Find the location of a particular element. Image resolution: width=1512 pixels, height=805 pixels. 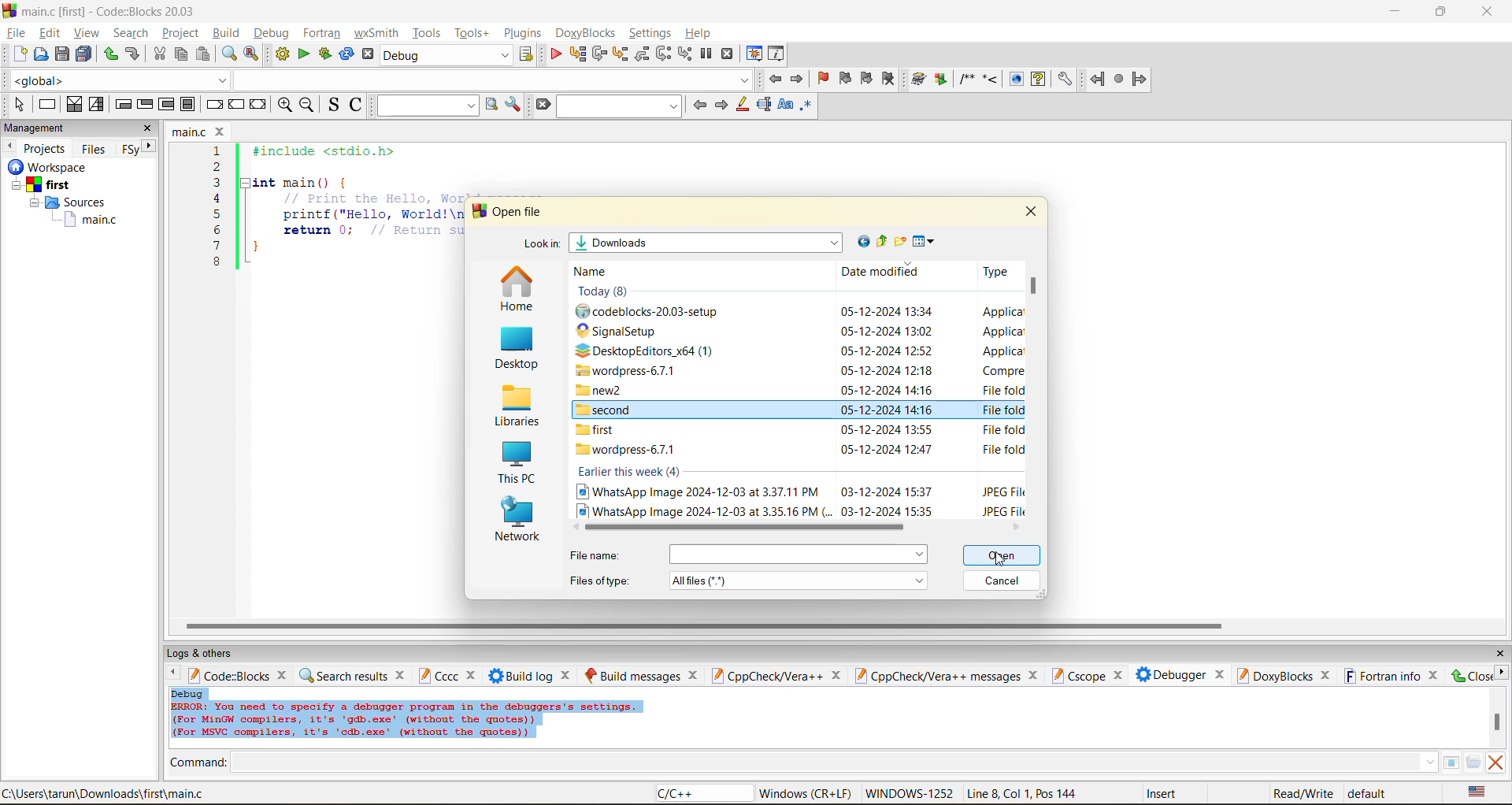

selection is located at coordinates (97, 105).